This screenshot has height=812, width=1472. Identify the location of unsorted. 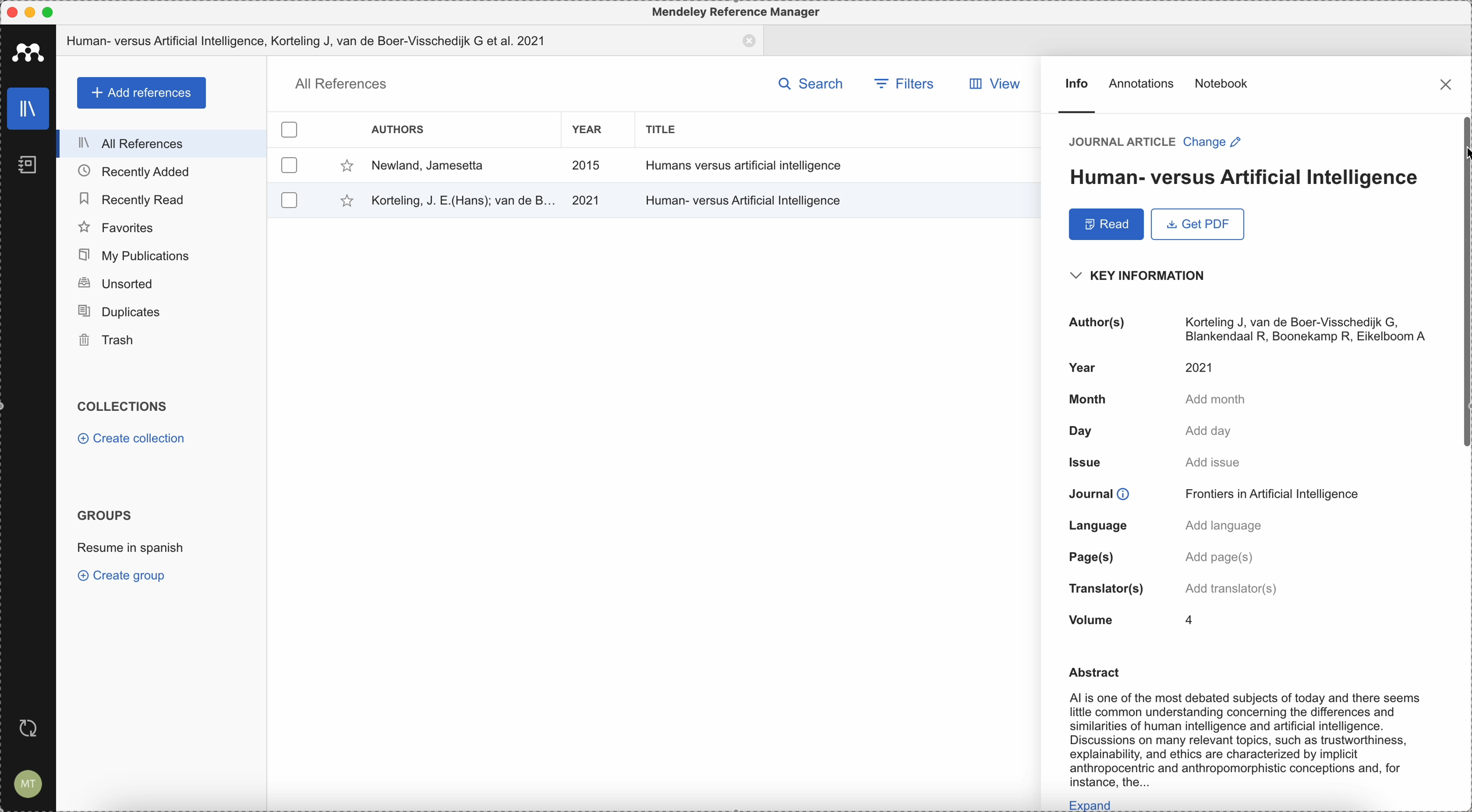
(161, 285).